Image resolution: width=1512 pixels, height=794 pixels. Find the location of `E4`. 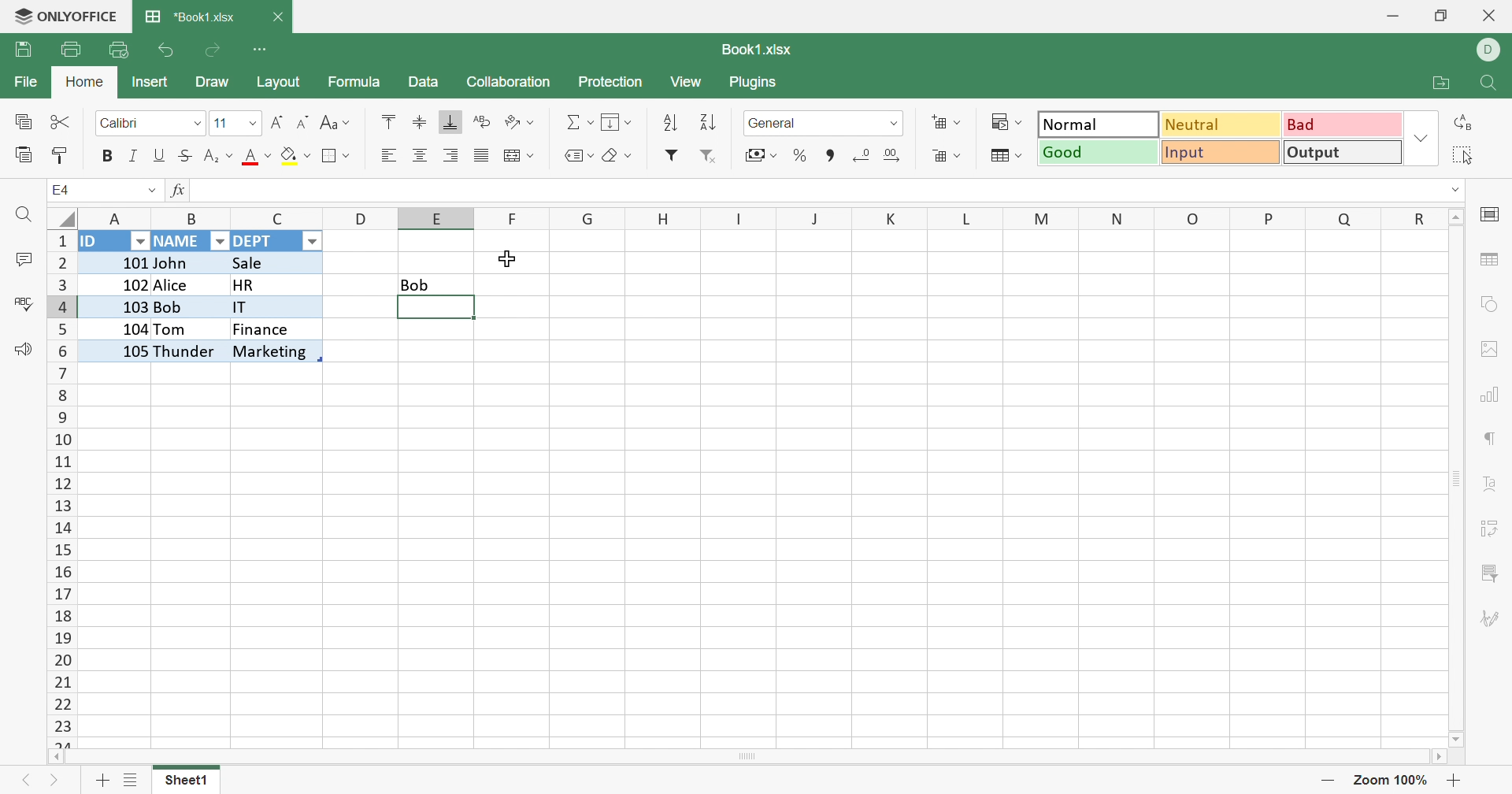

E4 is located at coordinates (62, 189).